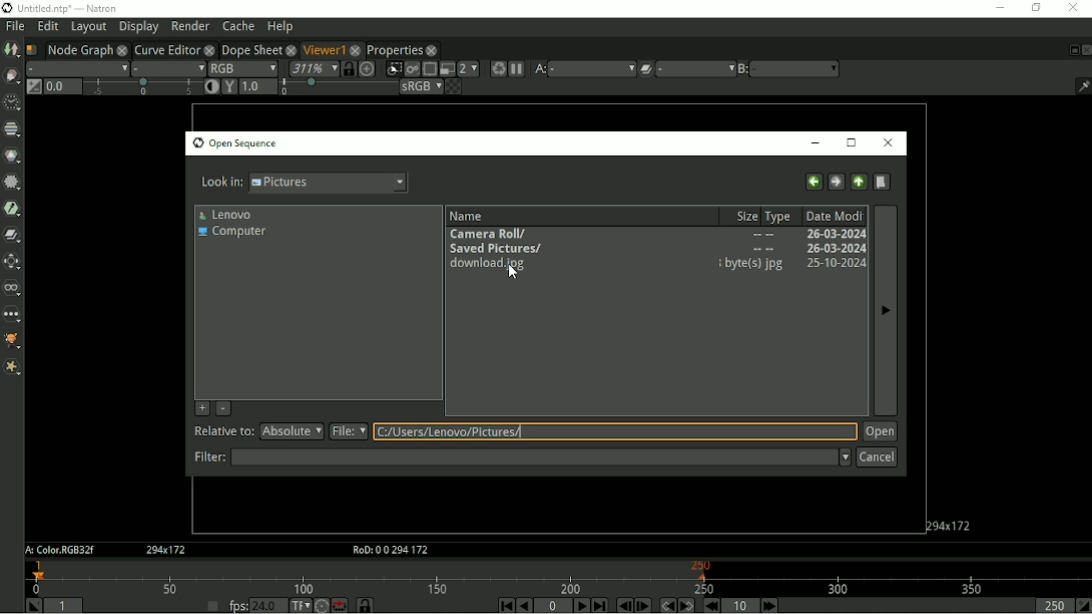 The height and width of the screenshot is (614, 1092). I want to click on b menu, so click(797, 69).